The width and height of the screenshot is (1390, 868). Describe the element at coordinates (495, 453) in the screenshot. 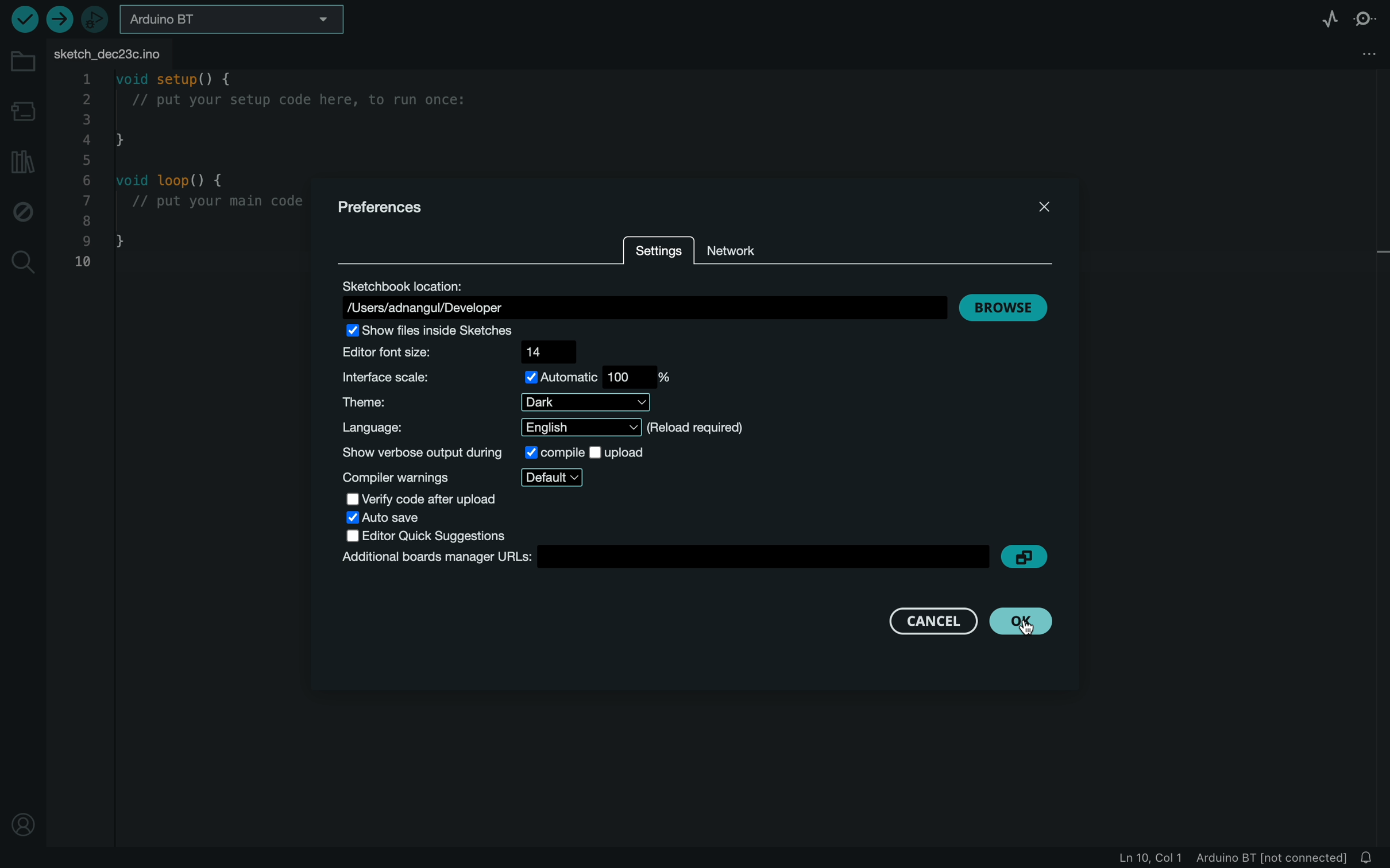

I see `show verbose outpur` at that location.